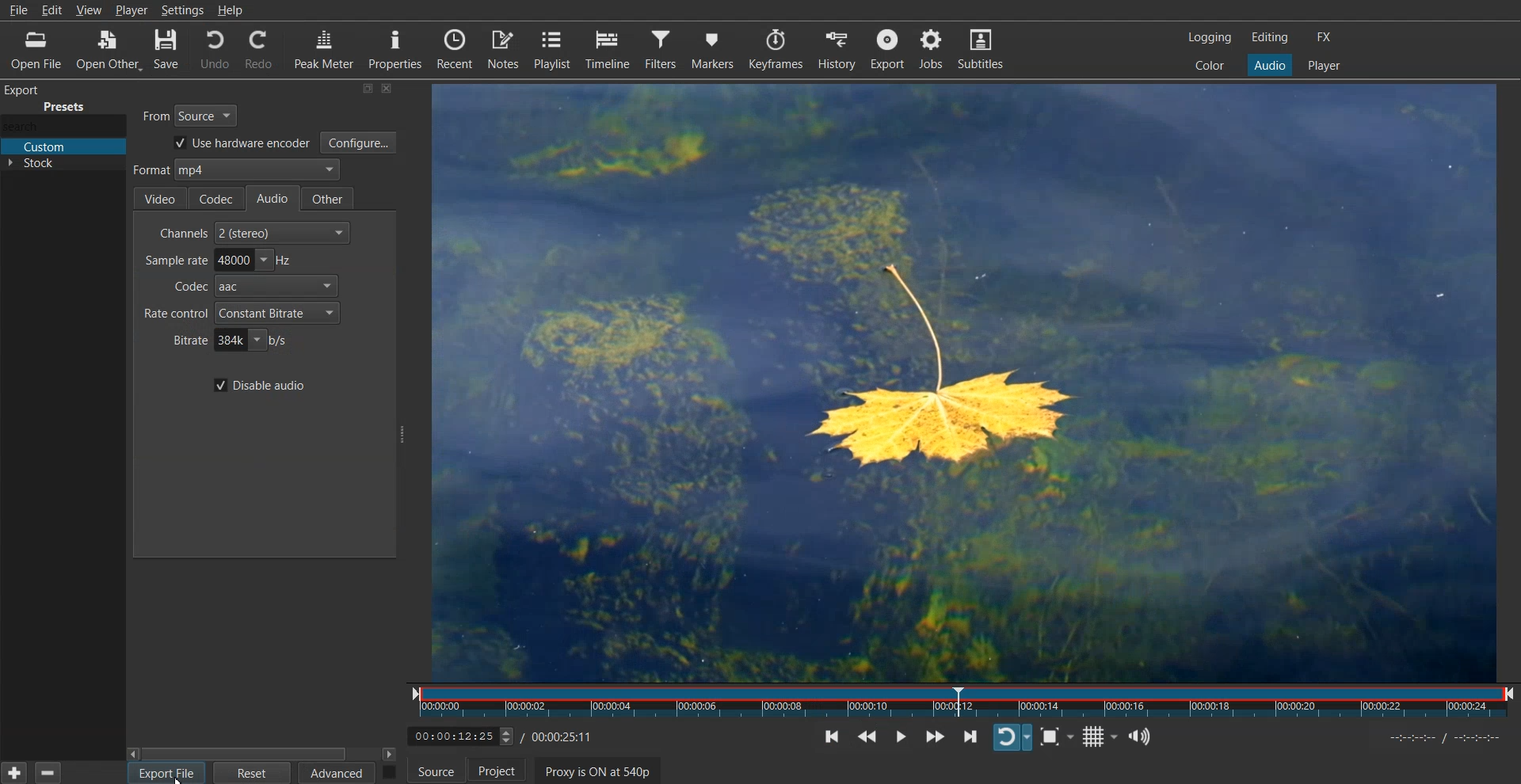  What do you see at coordinates (933, 736) in the screenshot?
I see `Play quickly forwards` at bounding box center [933, 736].